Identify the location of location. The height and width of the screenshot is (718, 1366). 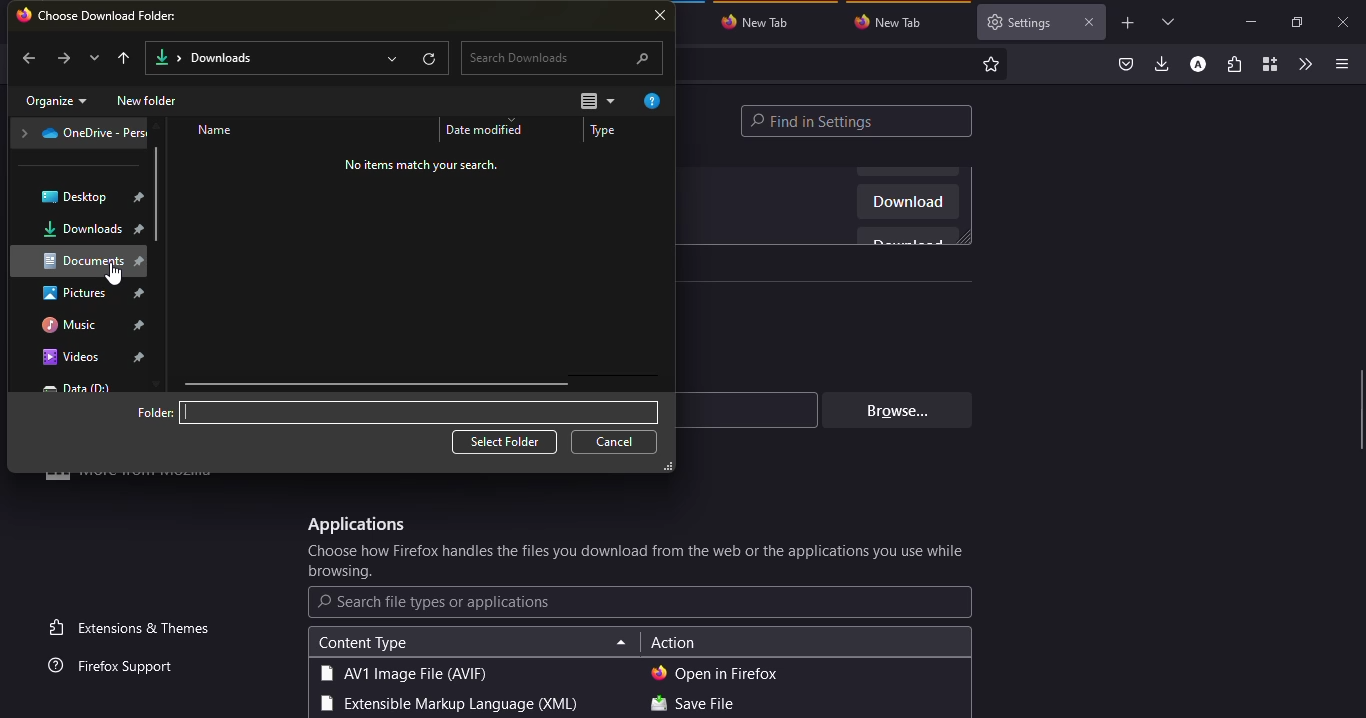
(83, 134).